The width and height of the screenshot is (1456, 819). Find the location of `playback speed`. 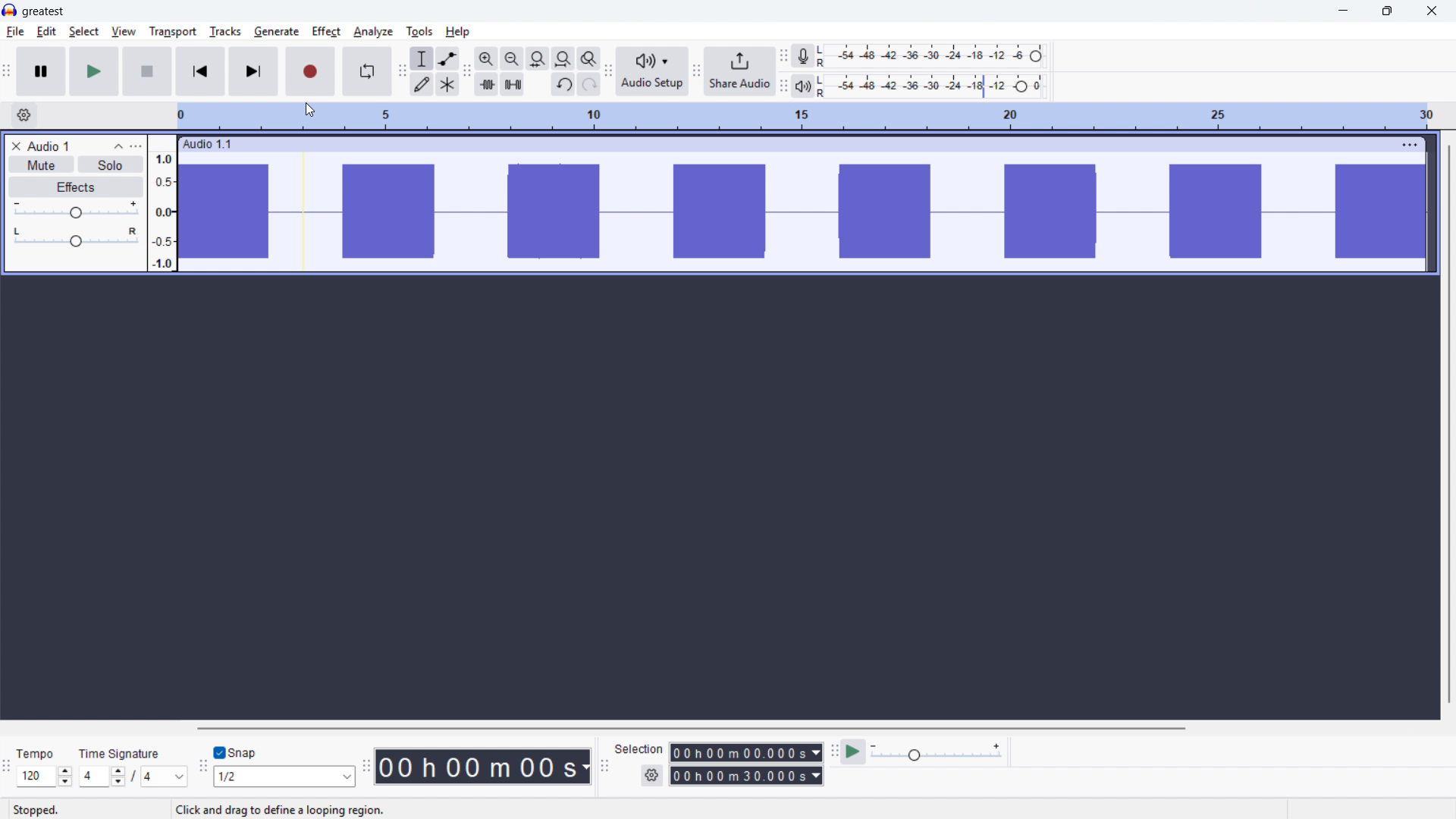

playback speed is located at coordinates (937, 752).